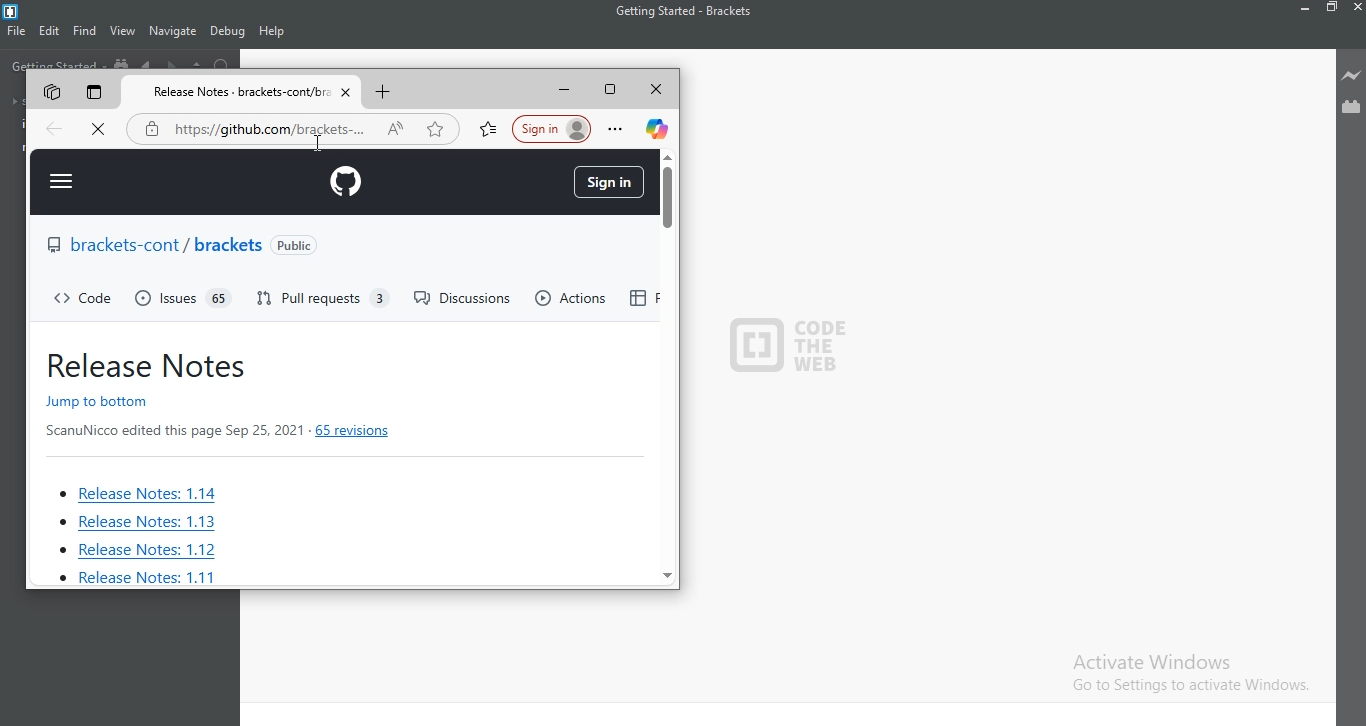 Image resolution: width=1366 pixels, height=726 pixels. I want to click on Help, so click(273, 32).